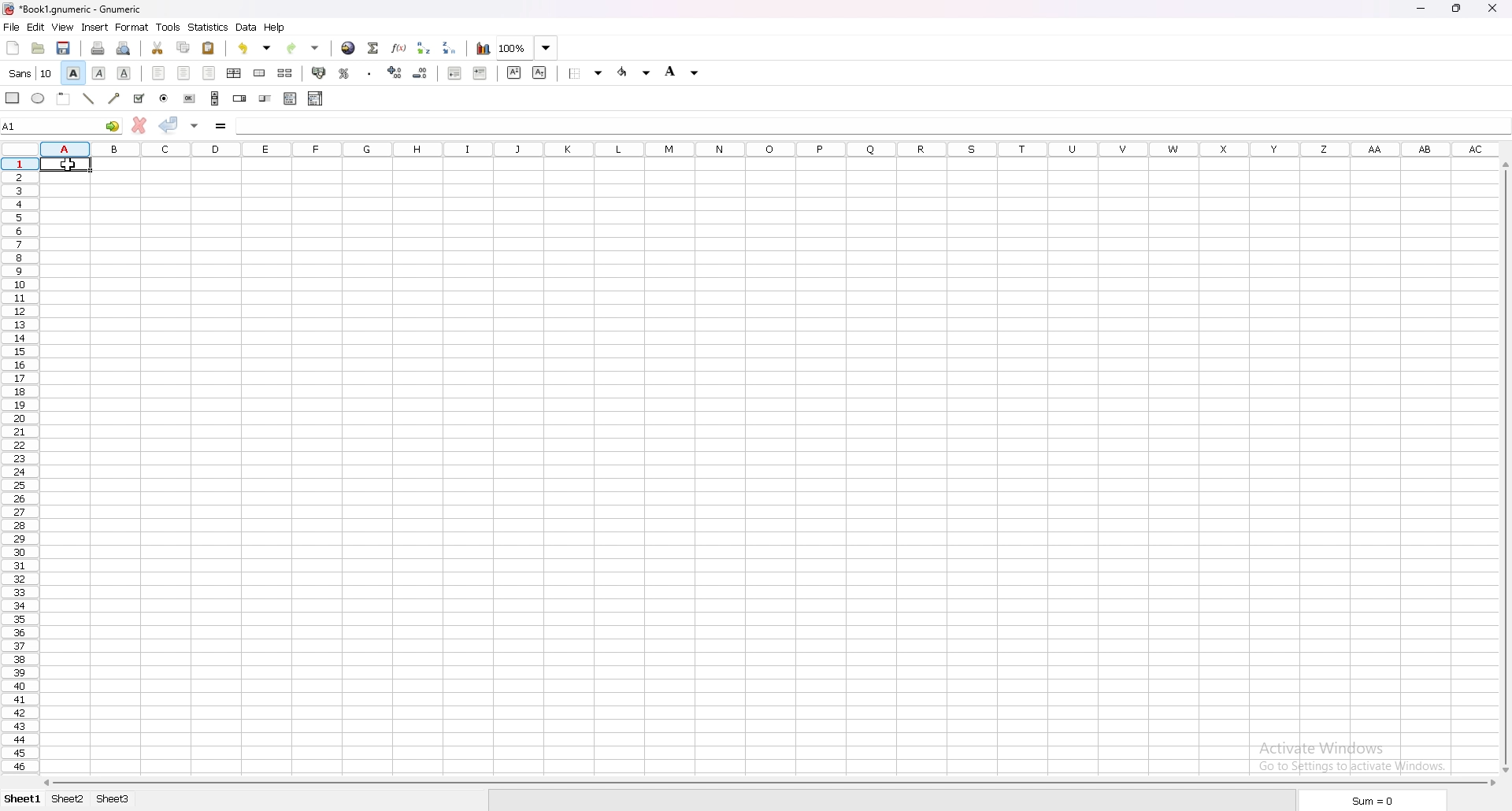  I want to click on close, so click(1493, 9).